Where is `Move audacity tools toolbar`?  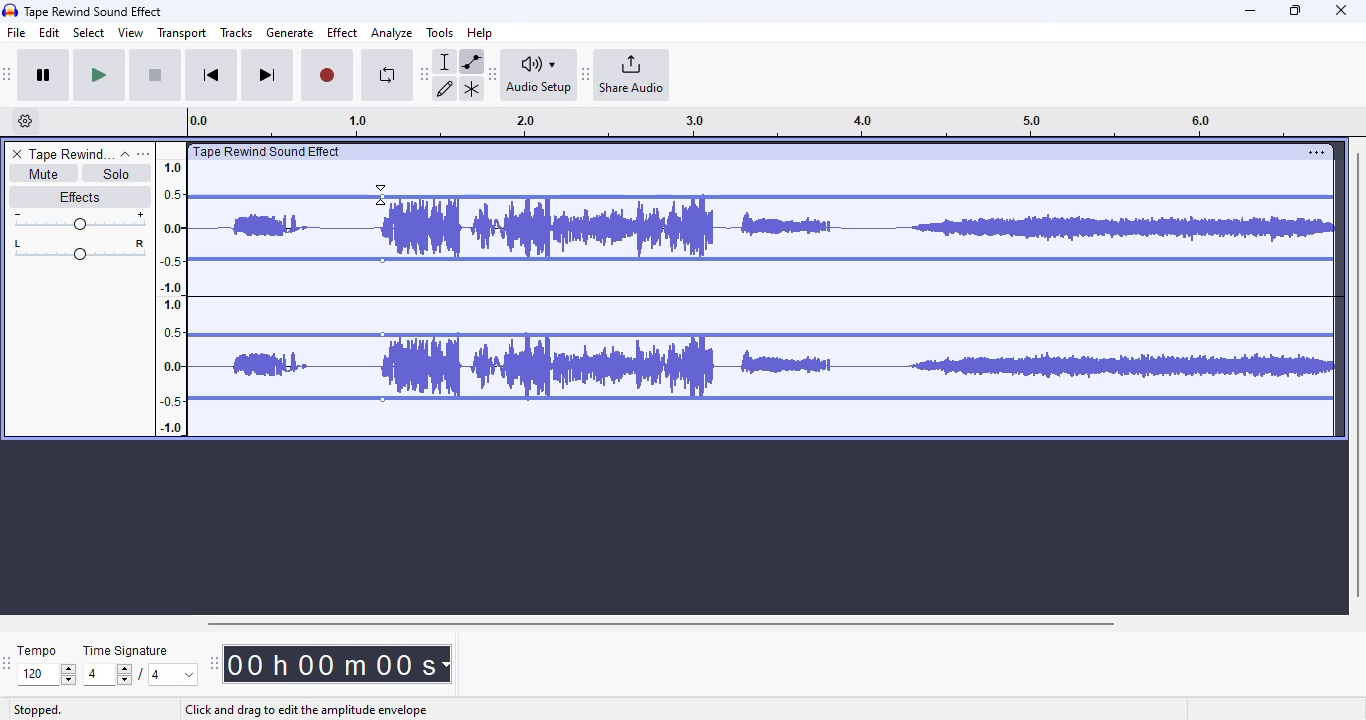
Move audacity tools toolbar is located at coordinates (425, 73).